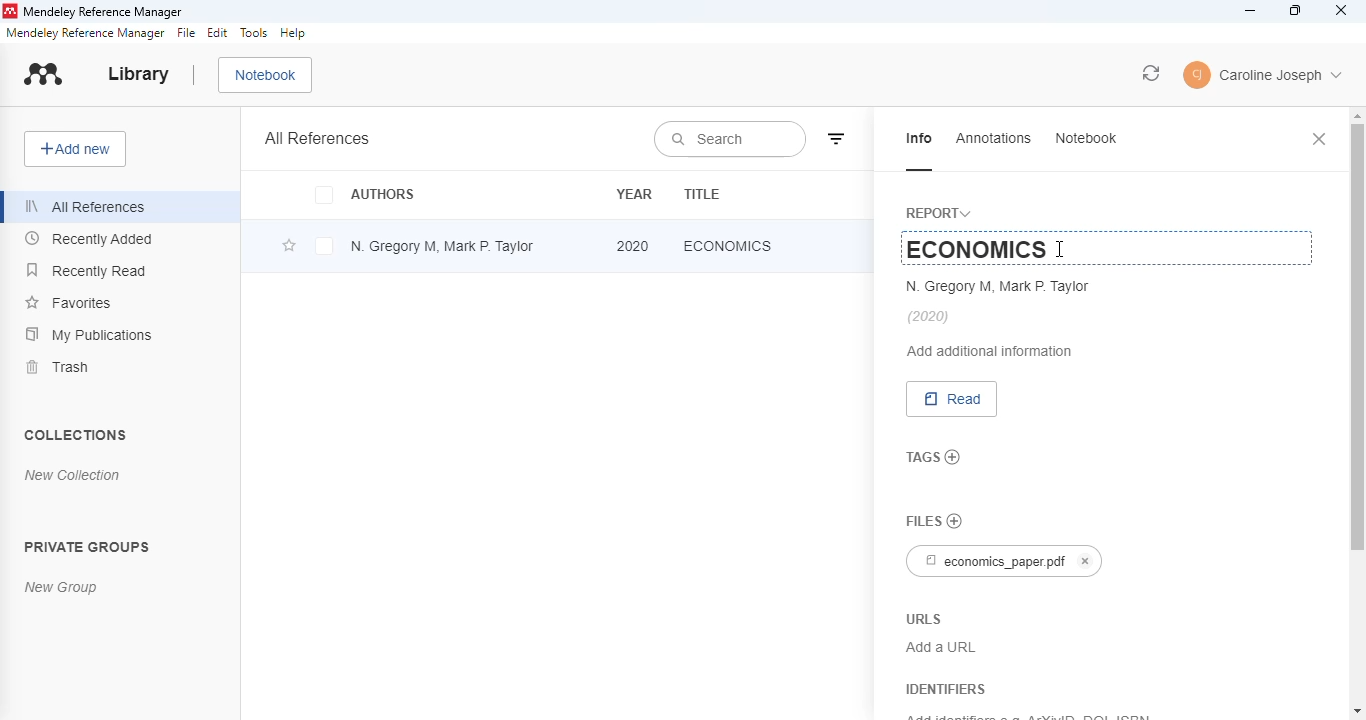 This screenshot has height=720, width=1366. What do you see at coordinates (317, 137) in the screenshot?
I see `all references` at bounding box center [317, 137].